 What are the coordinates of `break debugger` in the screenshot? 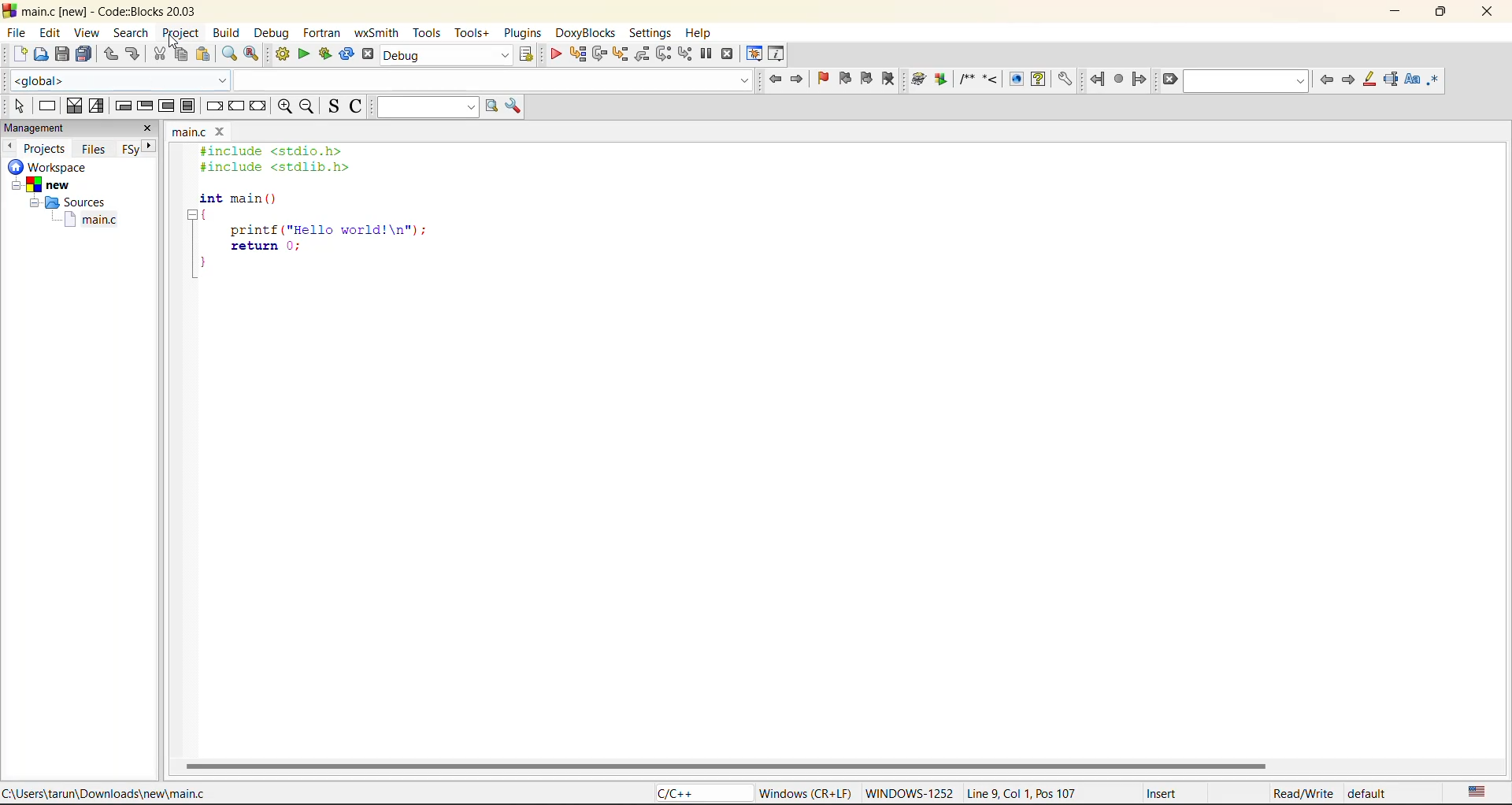 It's located at (707, 54).